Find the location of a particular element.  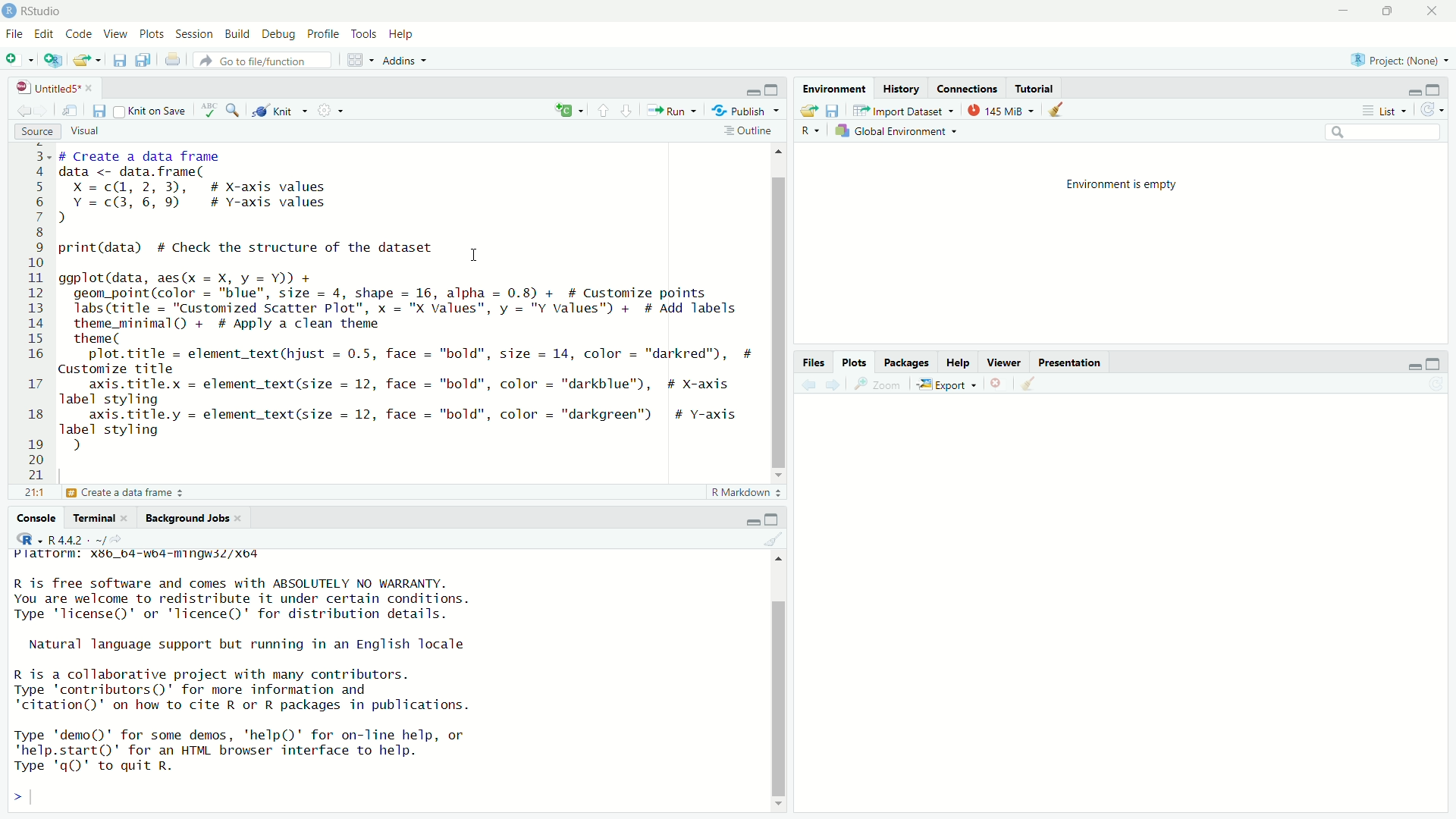

E
4
5
6
7
8
9
10
11
12
13
14
15
16
17
18
19
20
21 is located at coordinates (36, 315).